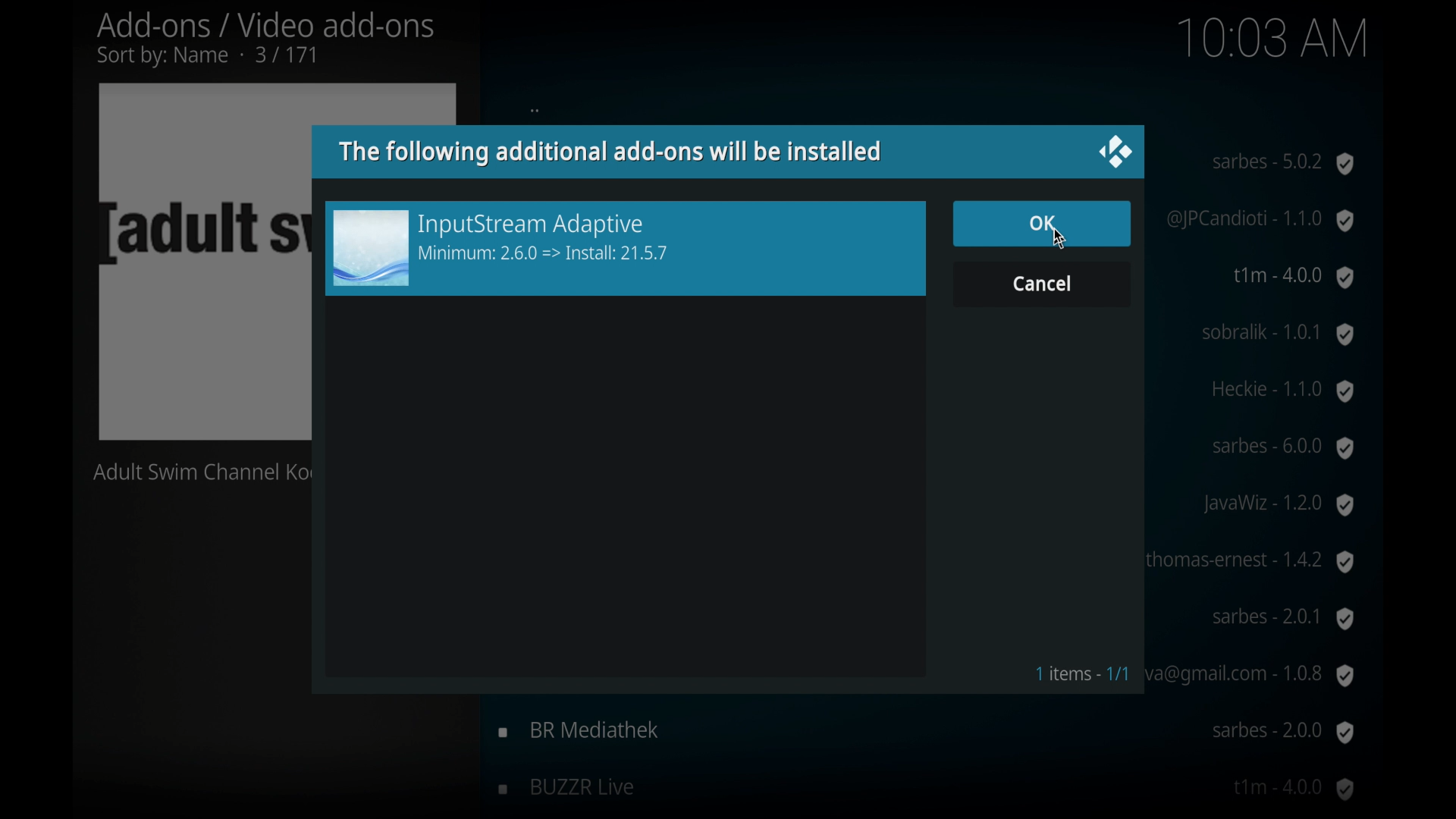 This screenshot has width=1456, height=819. I want to click on cancel, so click(1043, 284).